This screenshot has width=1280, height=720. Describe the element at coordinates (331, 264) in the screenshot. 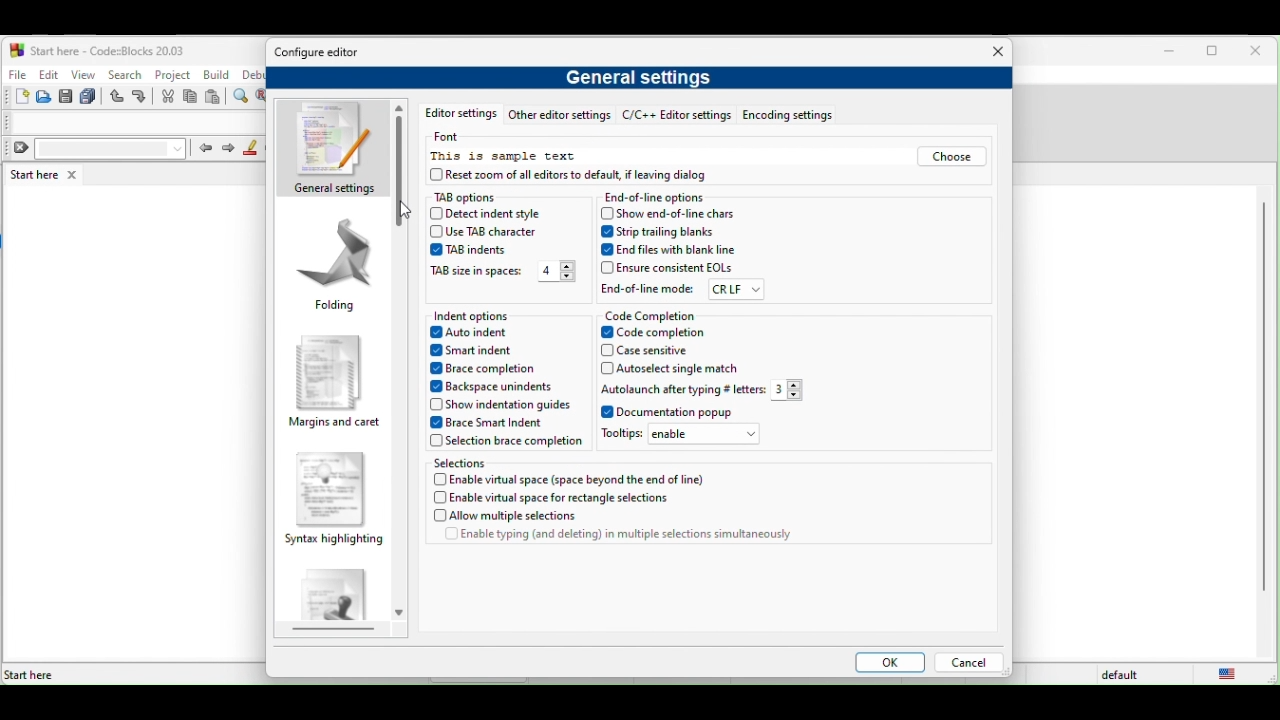

I see `folding` at that location.